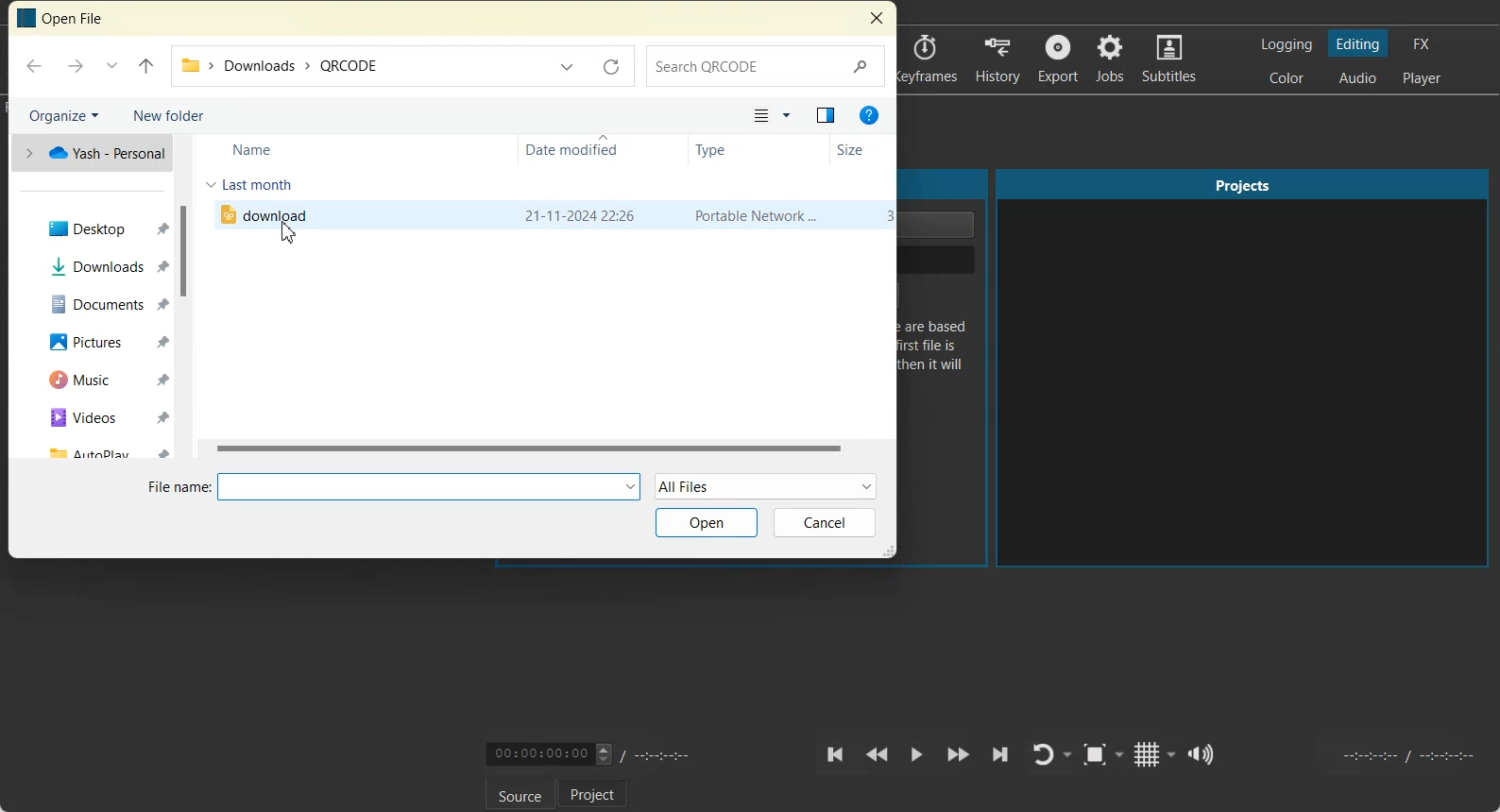 The image size is (1500, 812). Describe the element at coordinates (256, 147) in the screenshot. I see `Name` at that location.